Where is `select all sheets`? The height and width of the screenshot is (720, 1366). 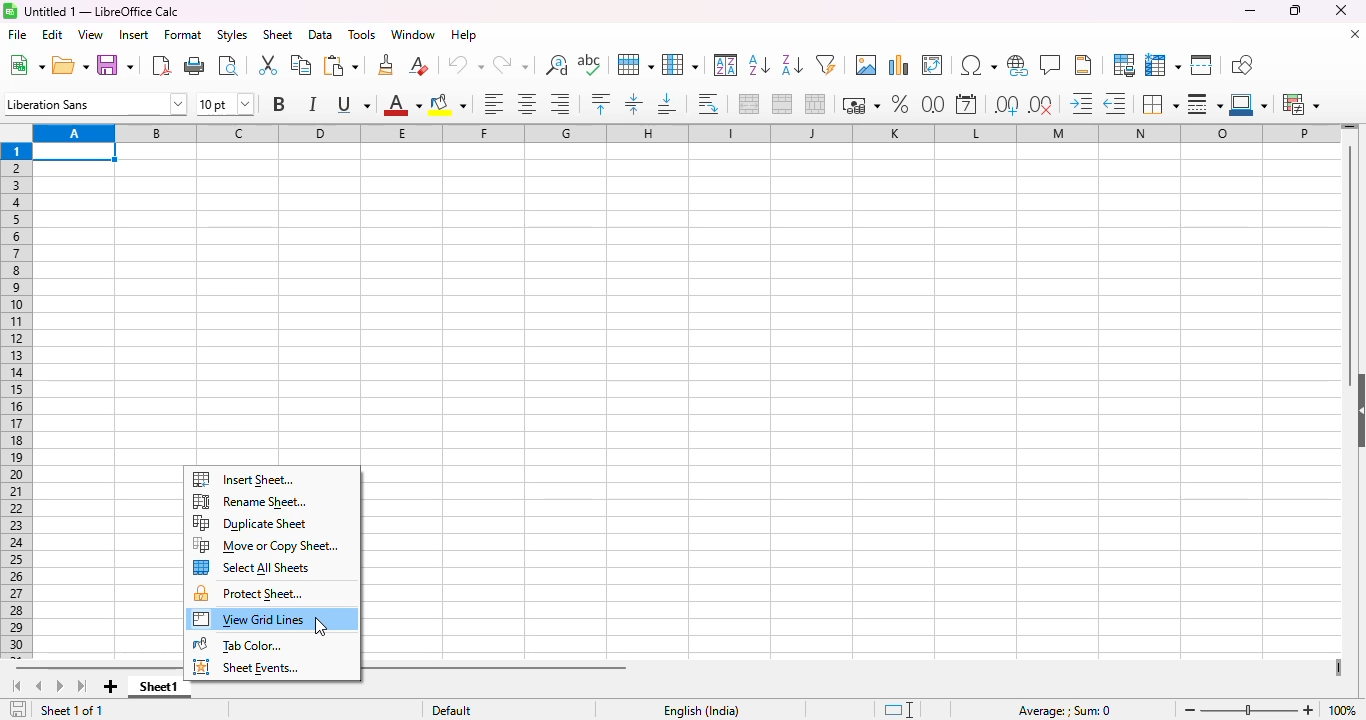
select all sheets is located at coordinates (253, 567).